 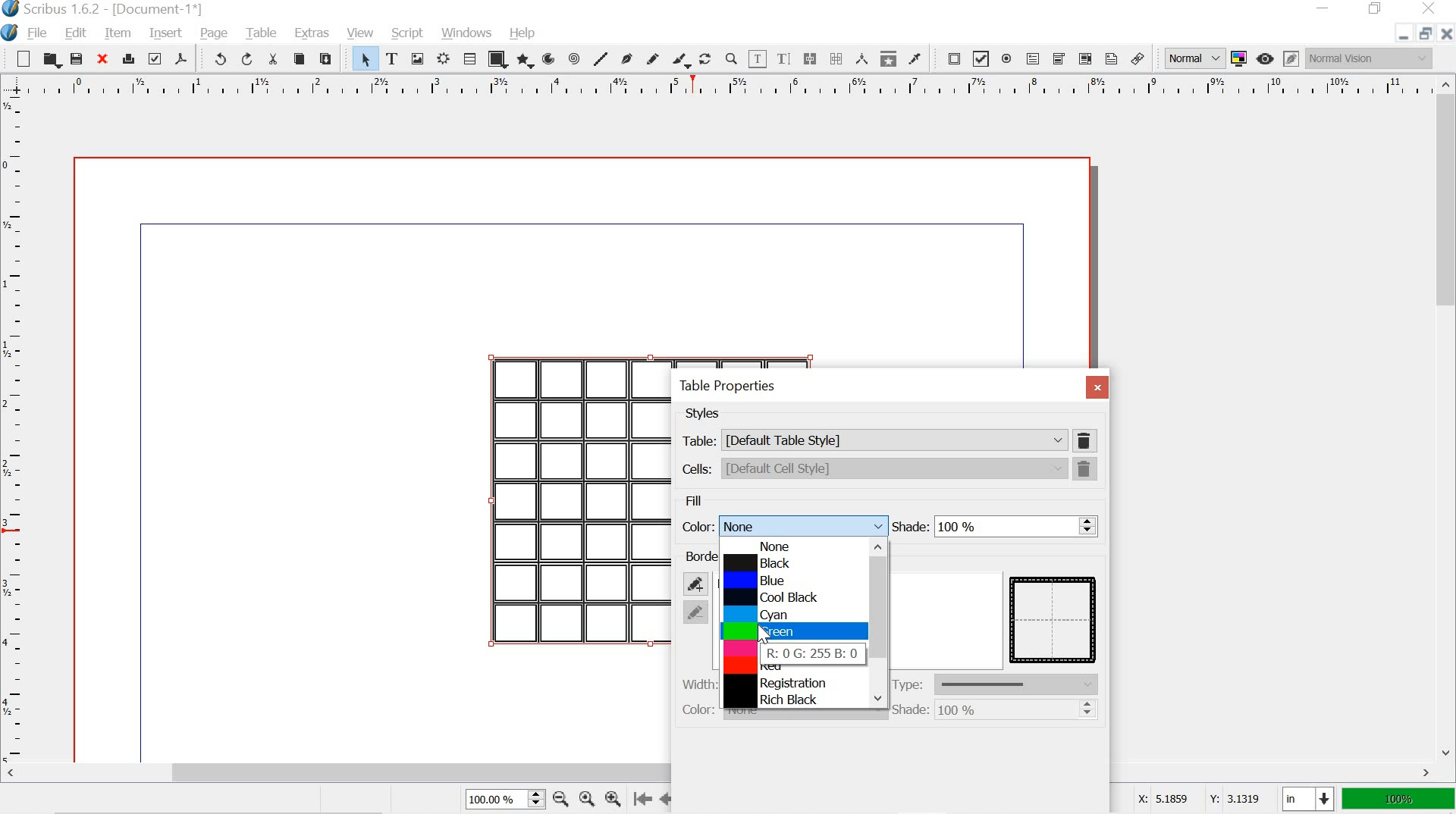 I want to click on eye dropper, so click(x=915, y=58).